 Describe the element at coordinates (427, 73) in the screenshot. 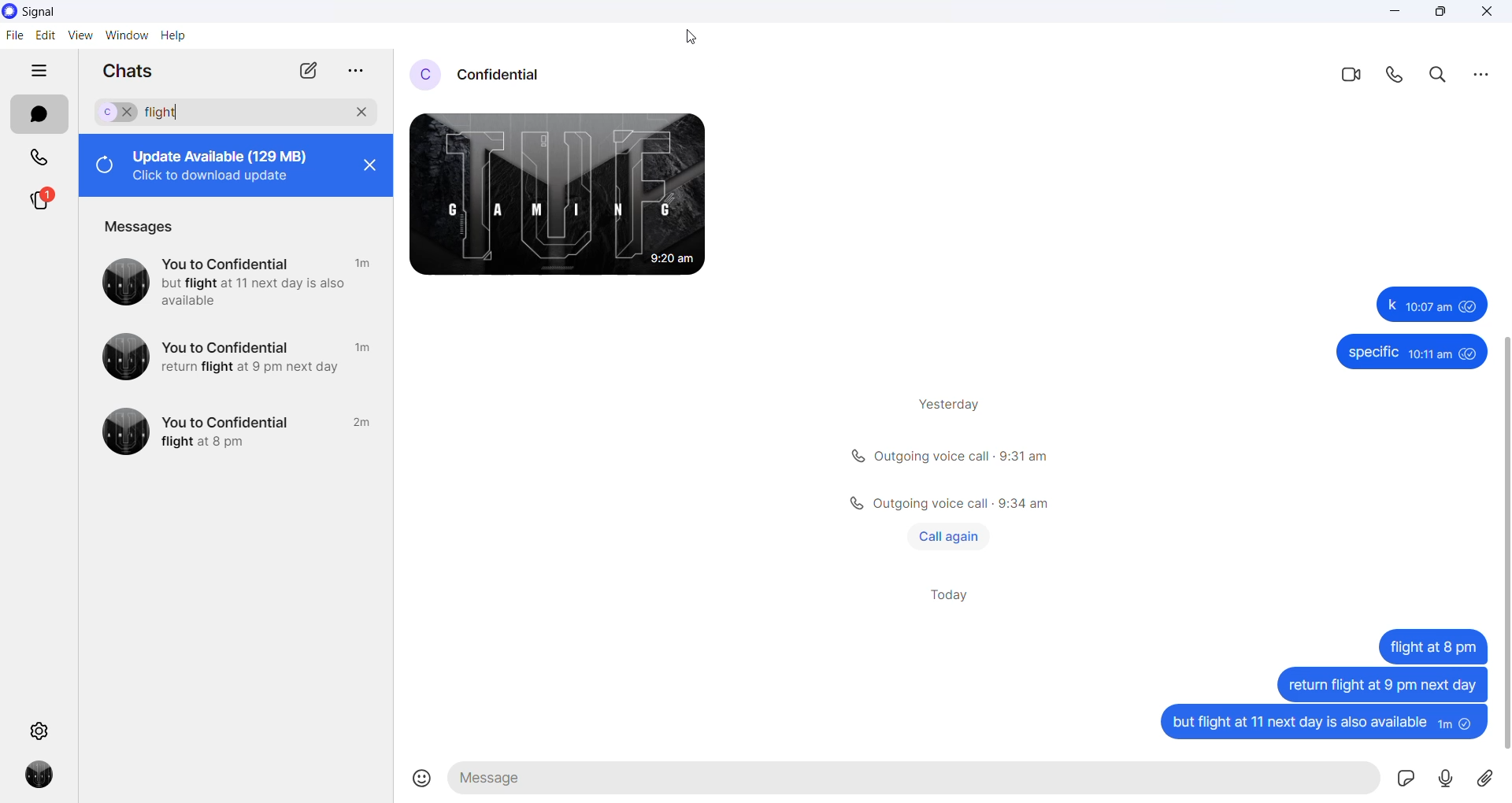

I see `profile picture` at that location.